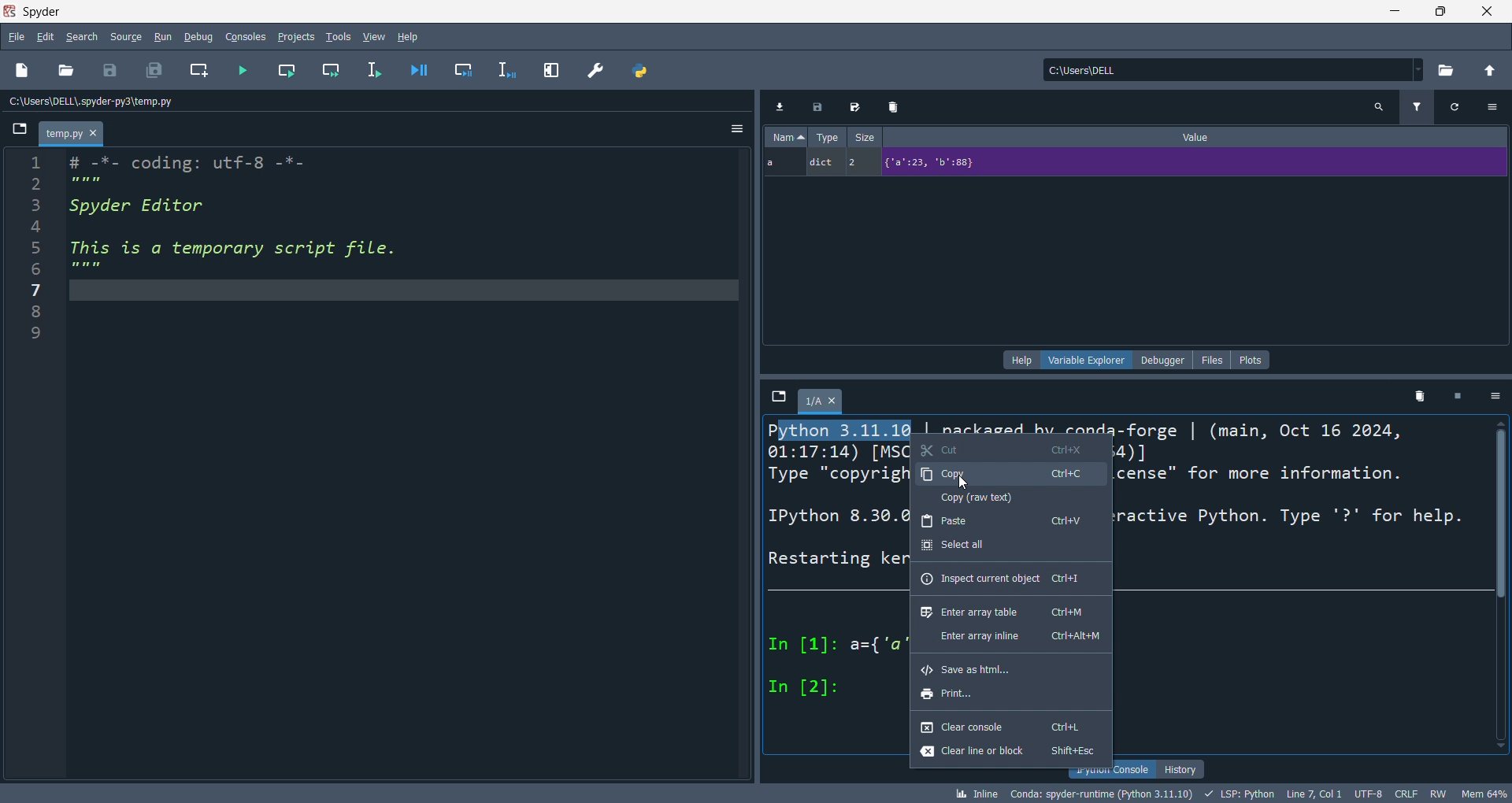  What do you see at coordinates (1008, 669) in the screenshot?
I see `save as html` at bounding box center [1008, 669].